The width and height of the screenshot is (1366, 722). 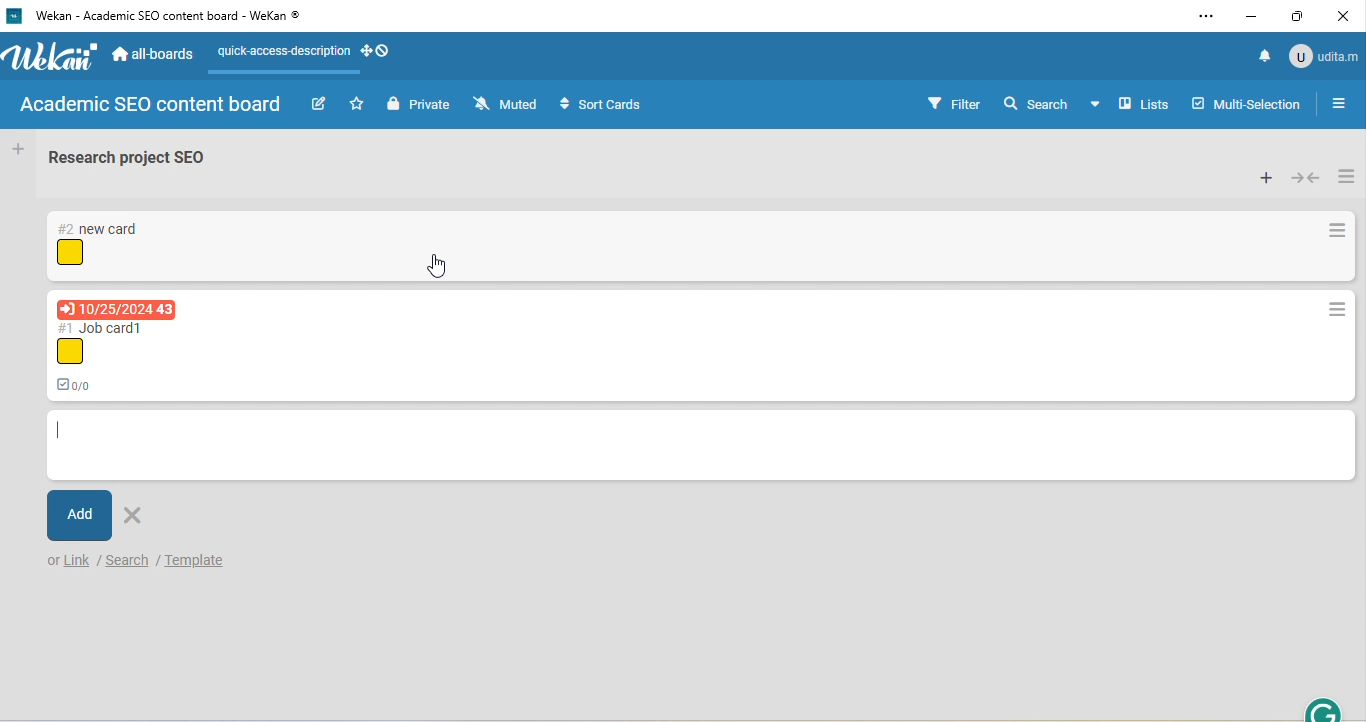 What do you see at coordinates (79, 561) in the screenshot?
I see `link` at bounding box center [79, 561].